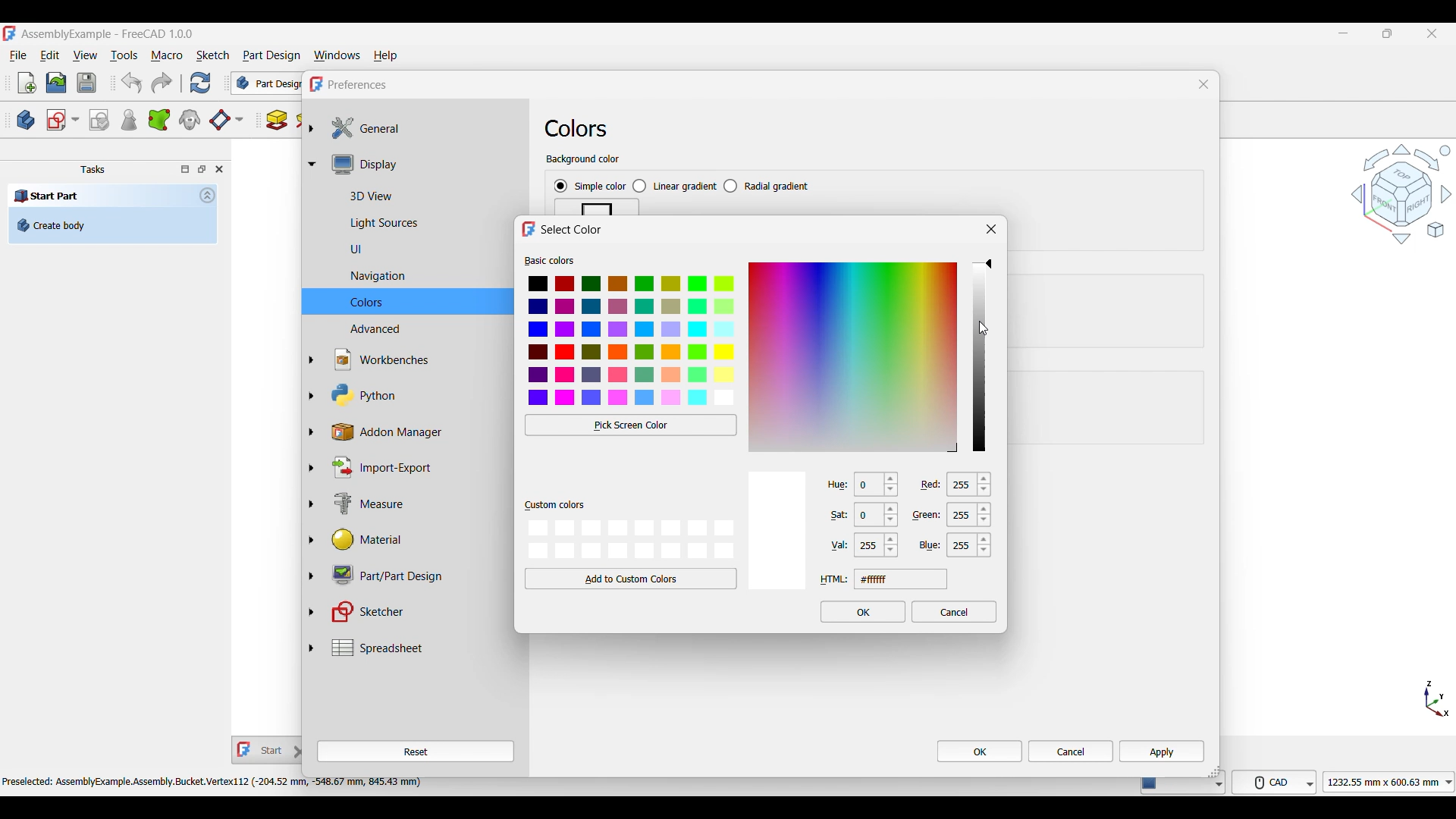 Image resolution: width=1456 pixels, height=819 pixels. I want to click on Display setting, so click(423, 164).